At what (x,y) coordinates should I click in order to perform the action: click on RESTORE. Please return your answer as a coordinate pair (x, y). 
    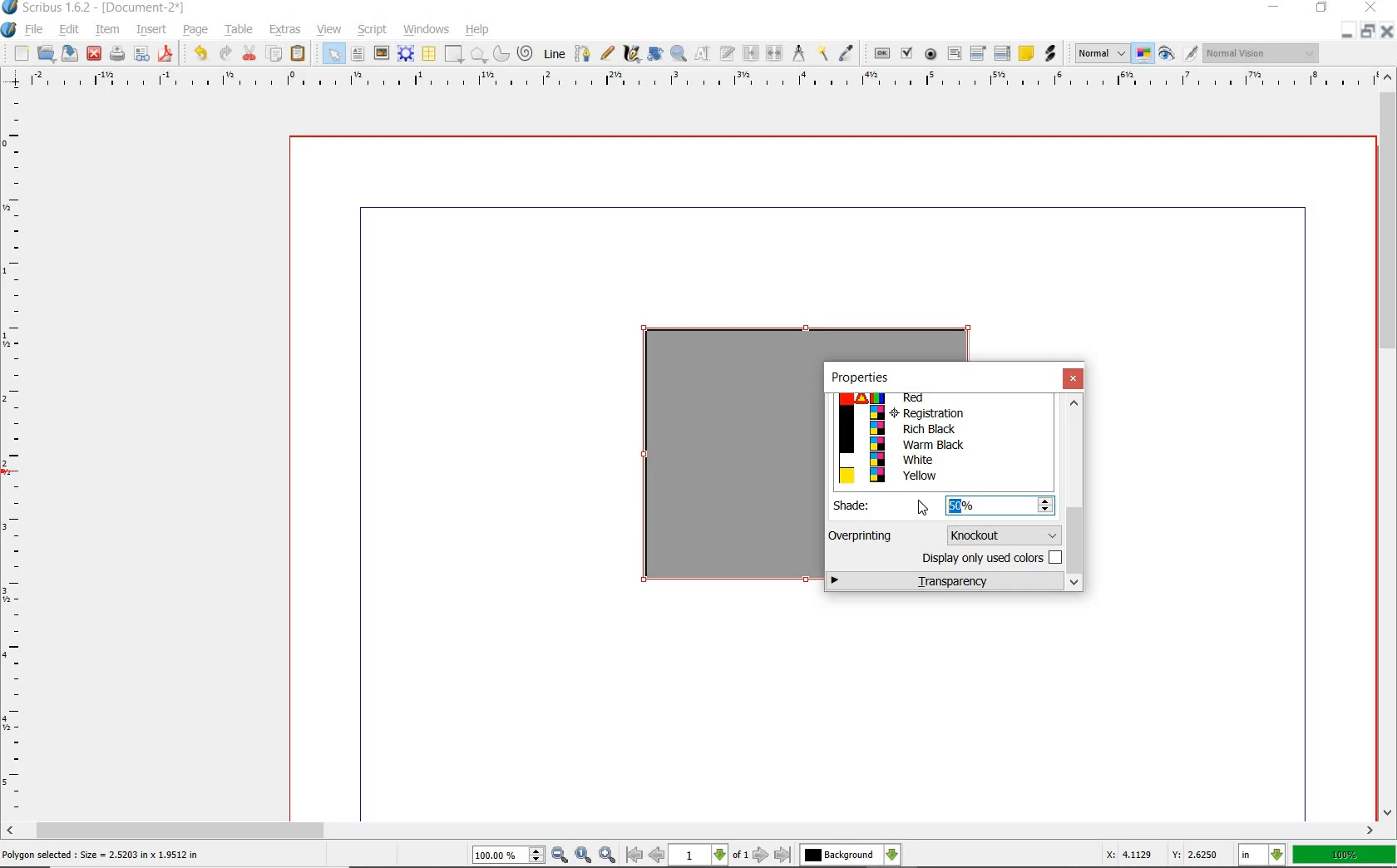
    Looking at the image, I should click on (1321, 11).